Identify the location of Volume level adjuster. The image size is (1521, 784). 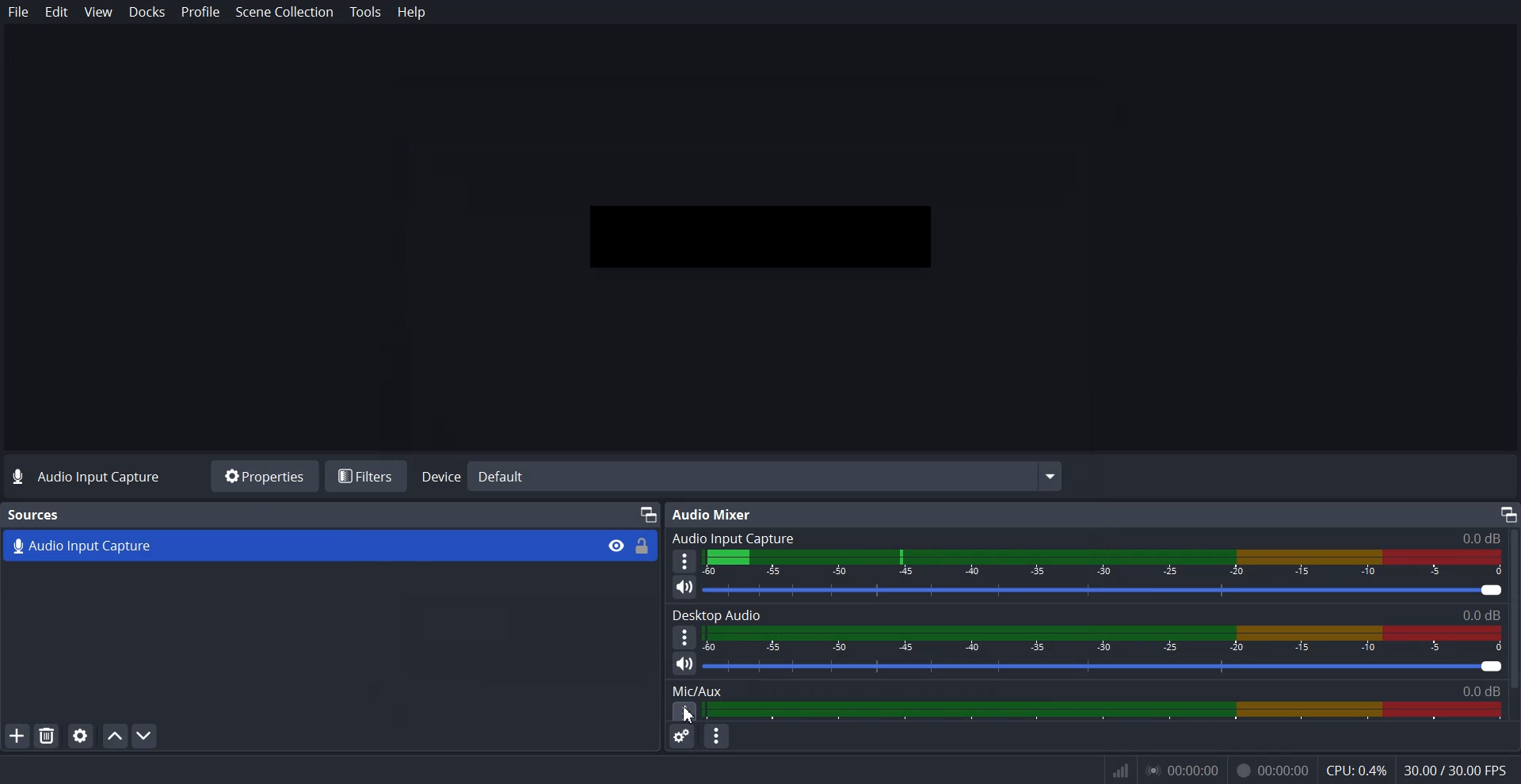
(1111, 592).